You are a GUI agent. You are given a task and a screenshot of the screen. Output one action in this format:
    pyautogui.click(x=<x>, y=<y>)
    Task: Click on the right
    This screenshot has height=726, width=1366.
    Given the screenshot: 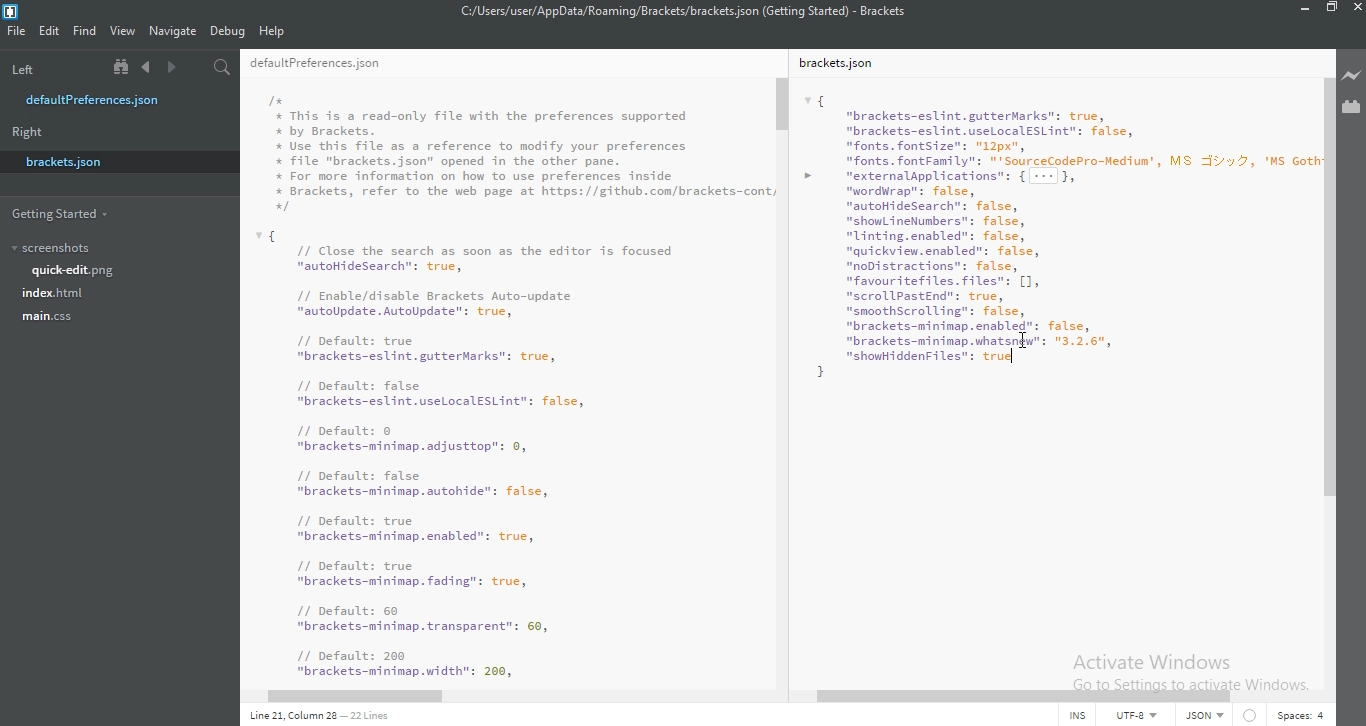 What is the action you would take?
    pyautogui.click(x=25, y=134)
    